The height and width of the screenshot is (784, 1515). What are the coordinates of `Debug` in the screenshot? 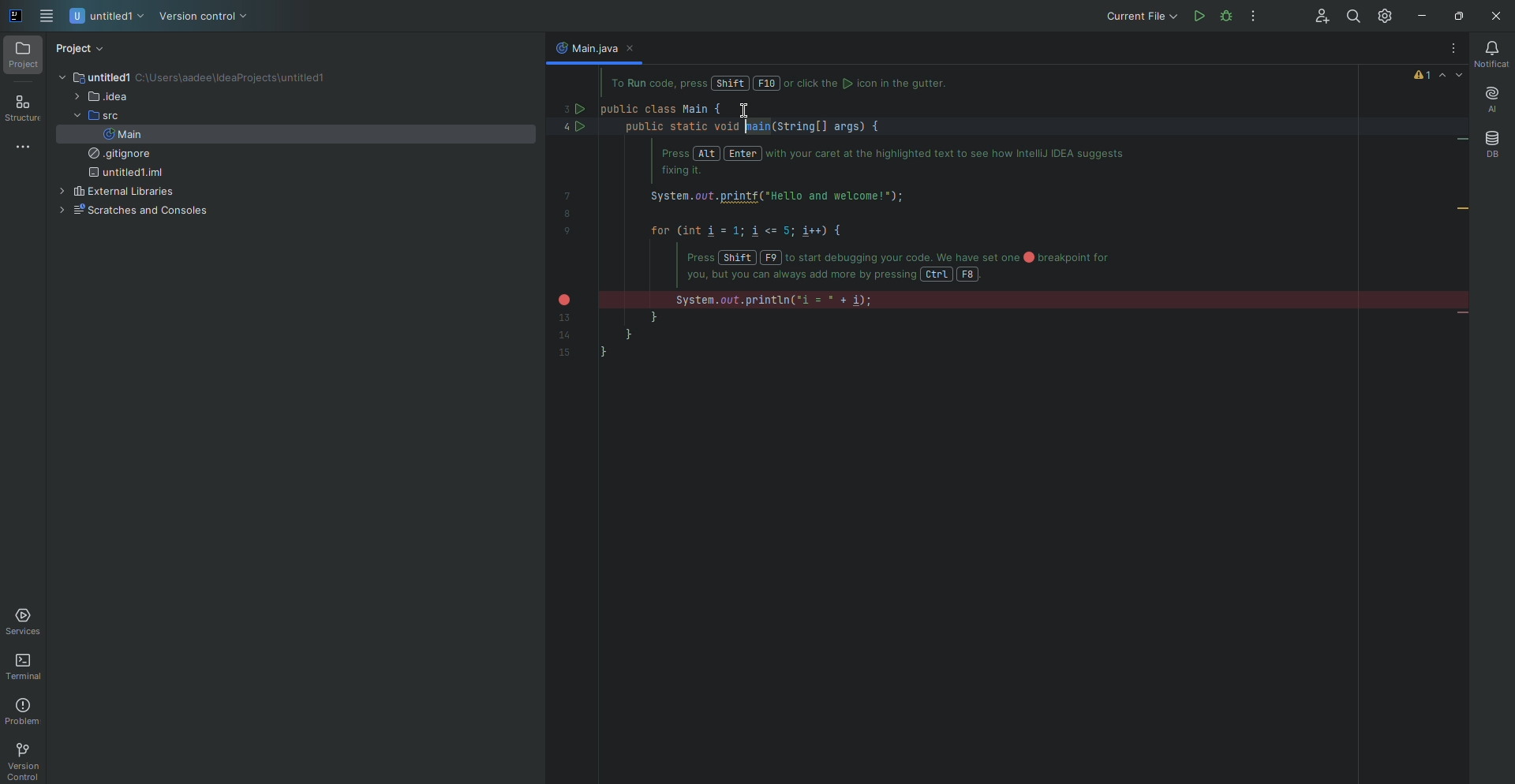 It's located at (1256, 16).